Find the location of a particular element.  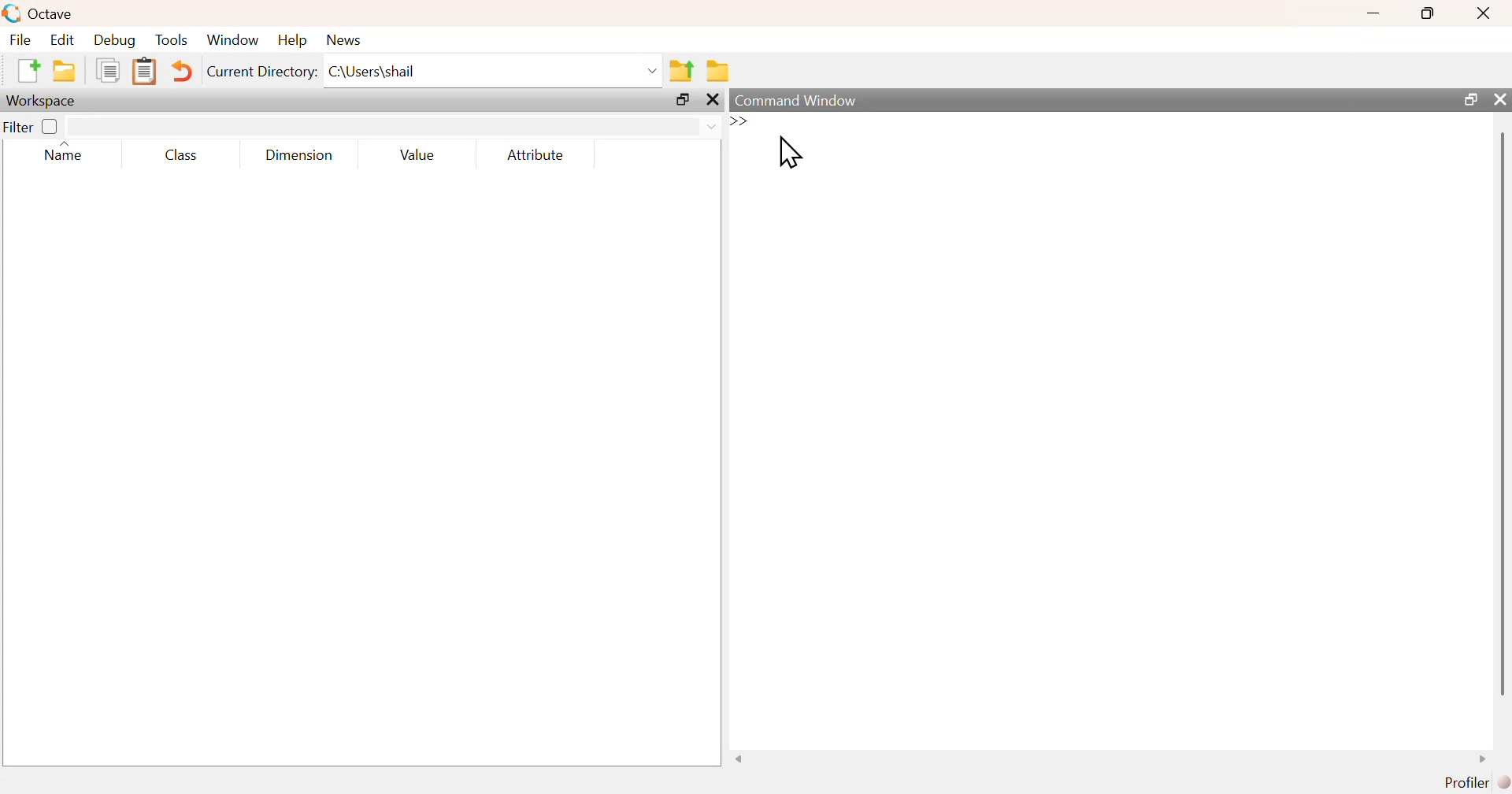

New File is located at coordinates (28, 71).